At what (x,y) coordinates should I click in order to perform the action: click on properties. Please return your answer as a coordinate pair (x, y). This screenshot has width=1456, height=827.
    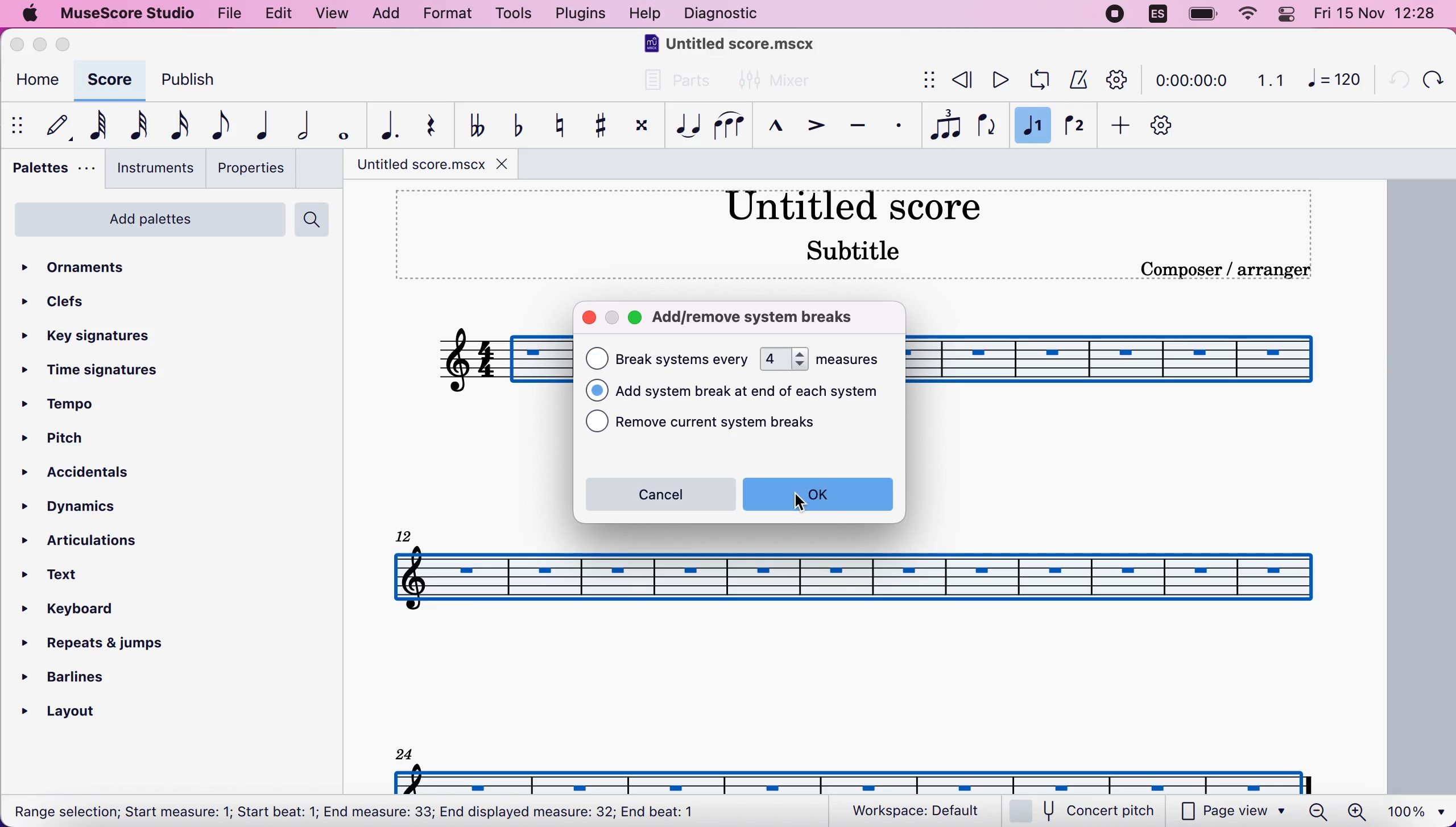
    Looking at the image, I should click on (250, 168).